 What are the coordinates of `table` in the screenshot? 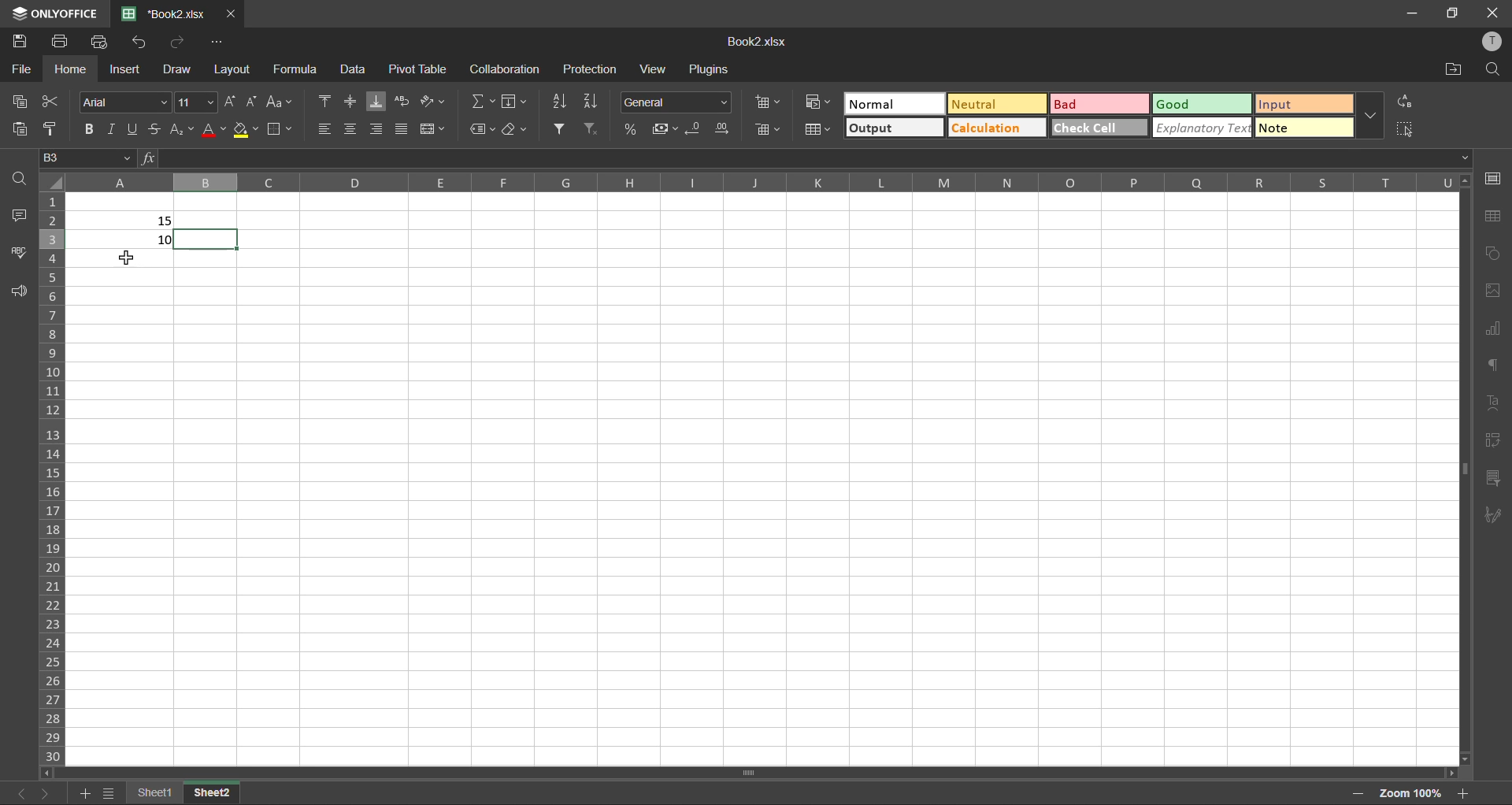 It's located at (1492, 217).